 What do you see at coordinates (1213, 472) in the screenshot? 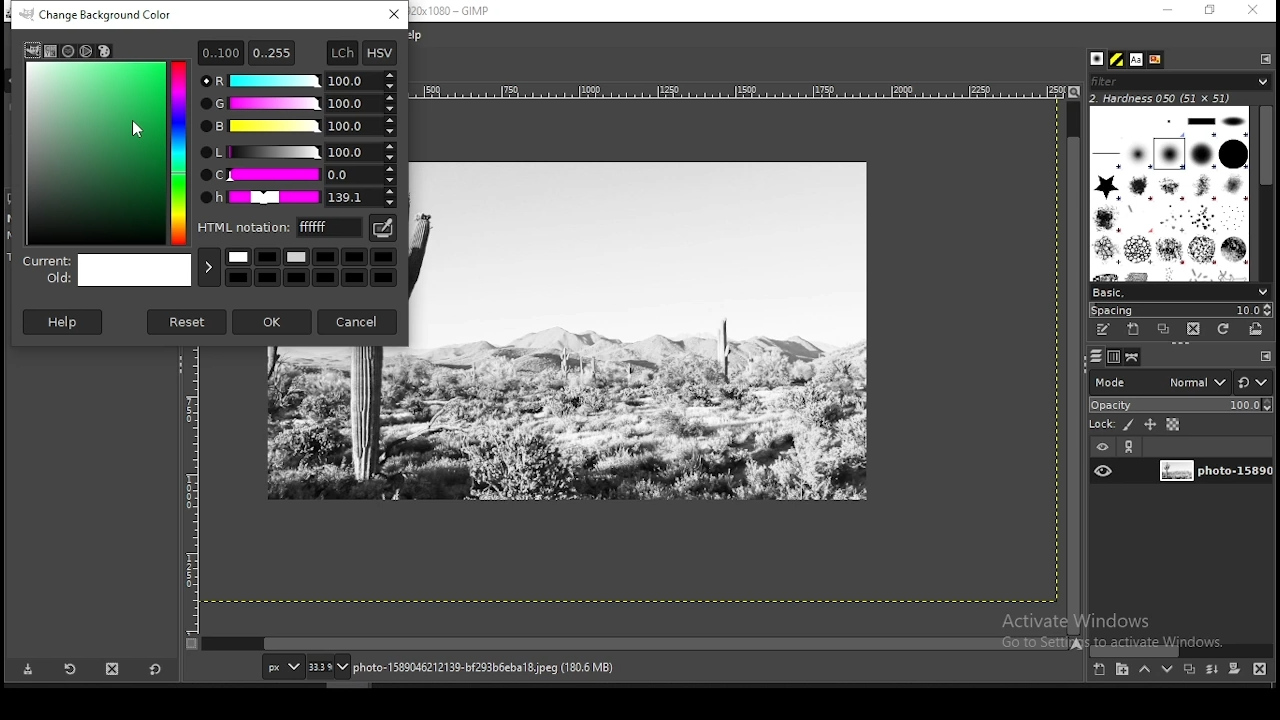
I see `layer` at bounding box center [1213, 472].